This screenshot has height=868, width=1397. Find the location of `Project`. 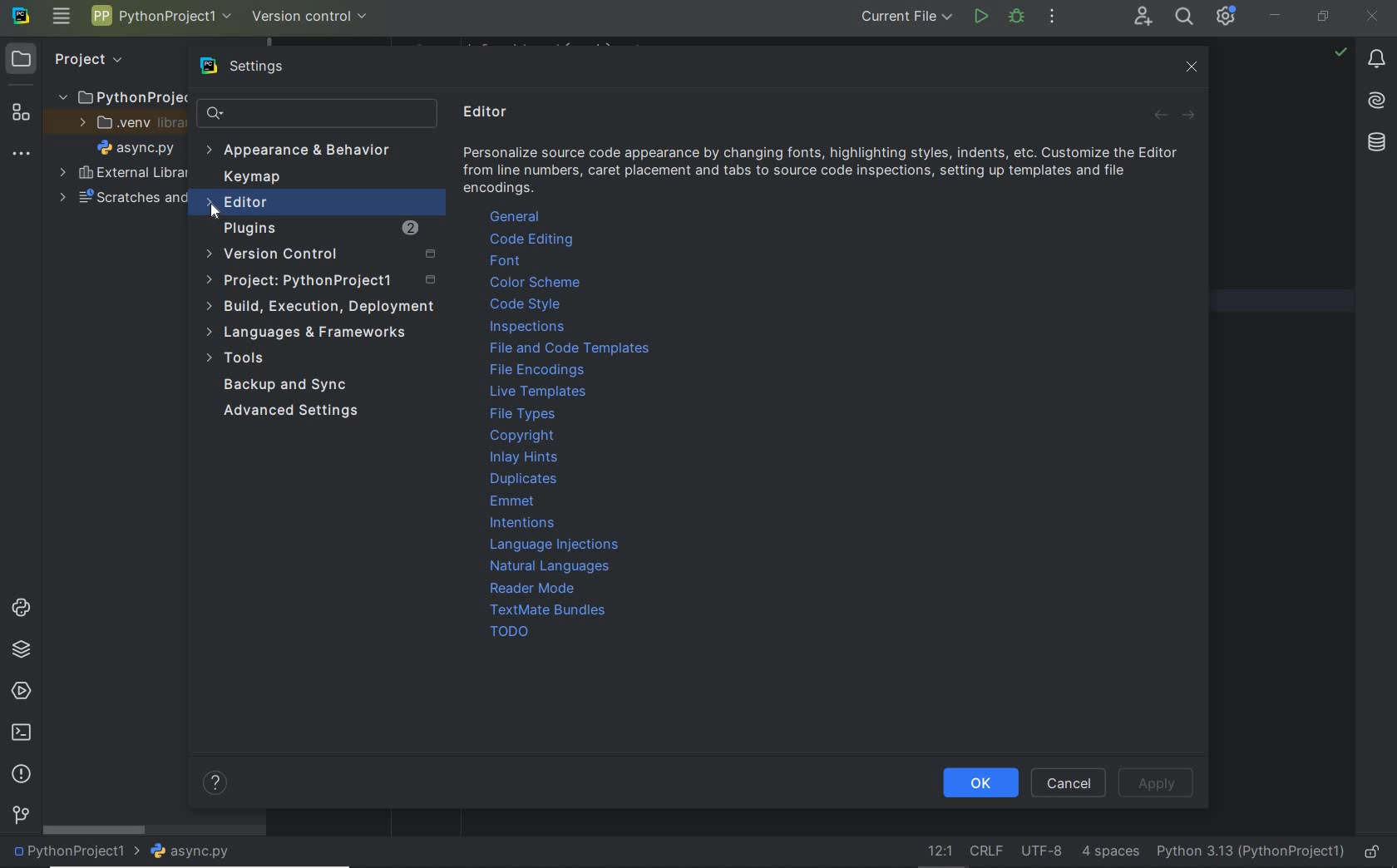

Project is located at coordinates (323, 281).